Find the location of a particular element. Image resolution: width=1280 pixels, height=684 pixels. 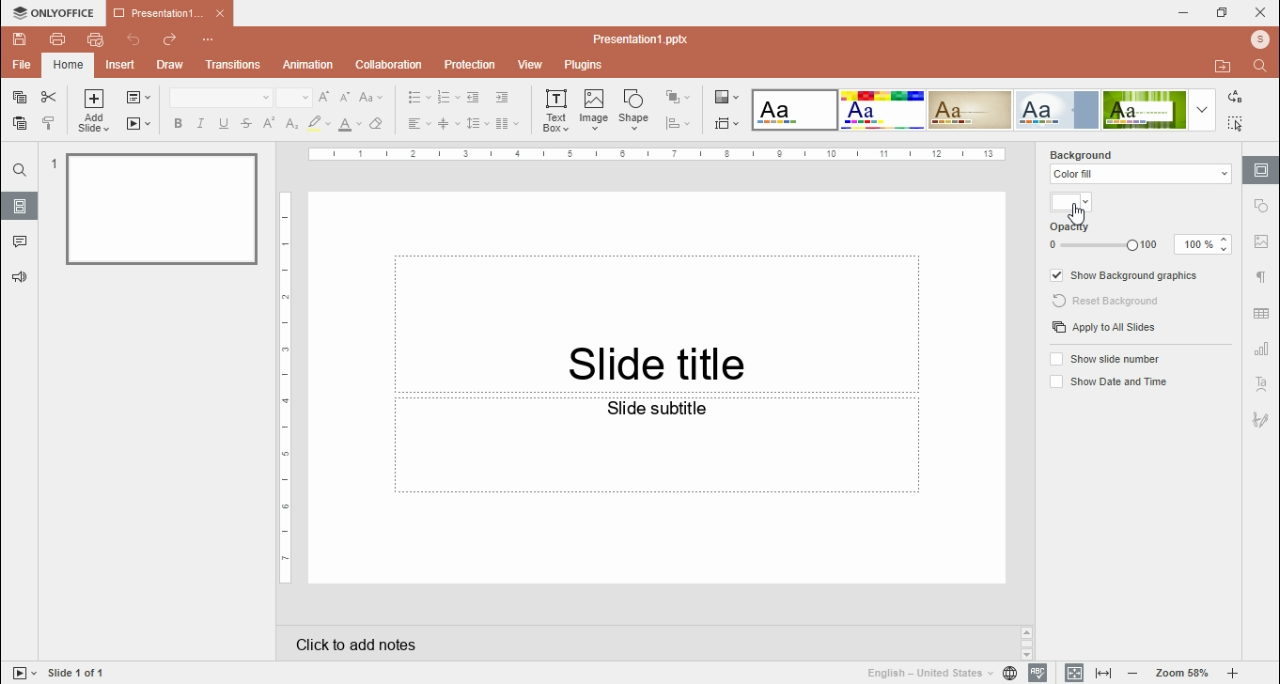

font is located at coordinates (221, 98).